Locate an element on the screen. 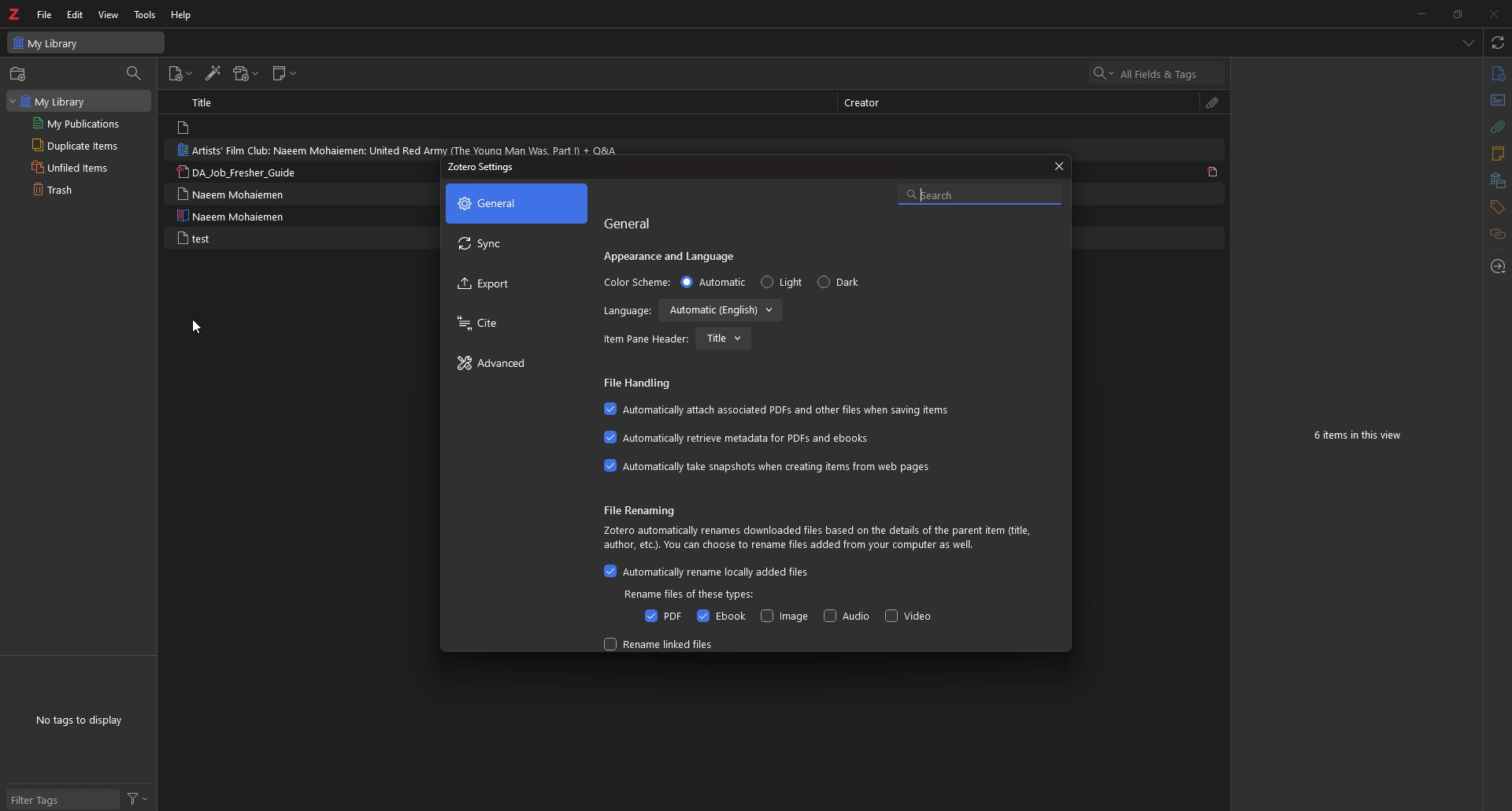  filter tags is located at coordinates (61, 798).